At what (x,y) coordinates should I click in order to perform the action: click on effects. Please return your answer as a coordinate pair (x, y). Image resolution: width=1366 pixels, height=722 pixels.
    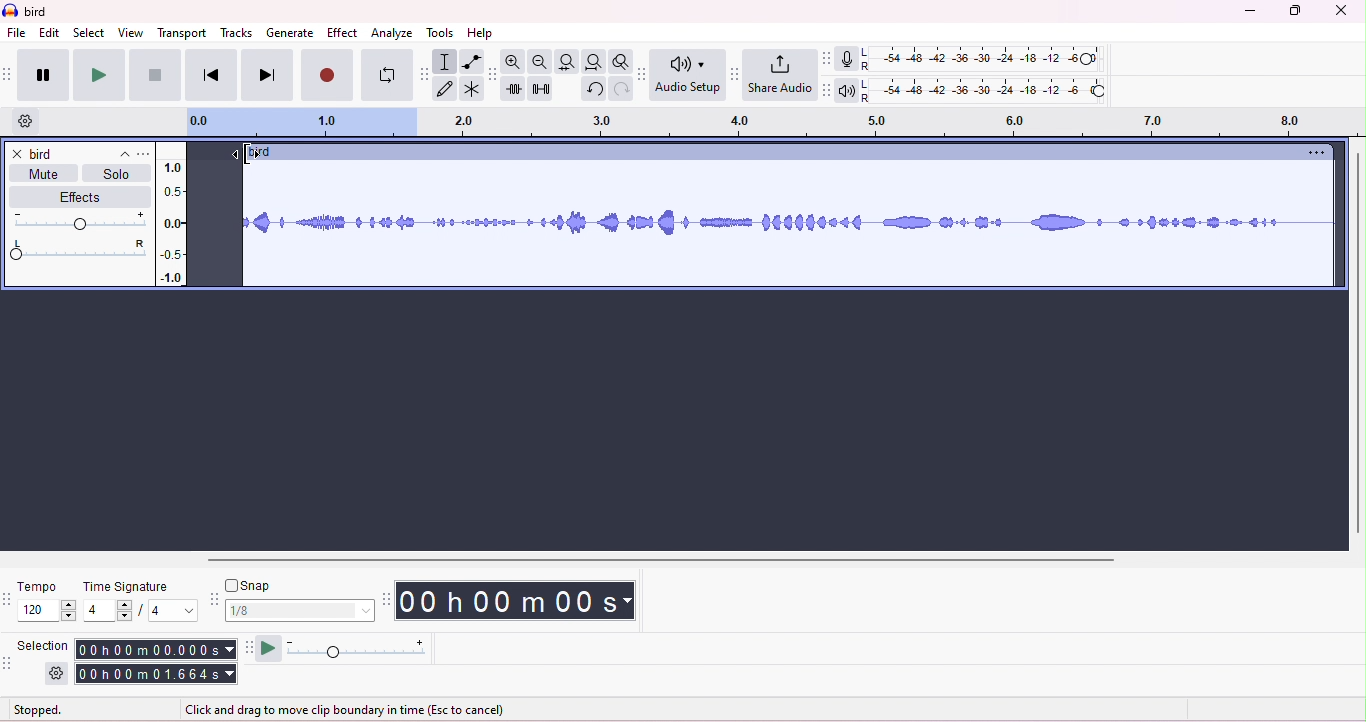
    Looking at the image, I should click on (73, 197).